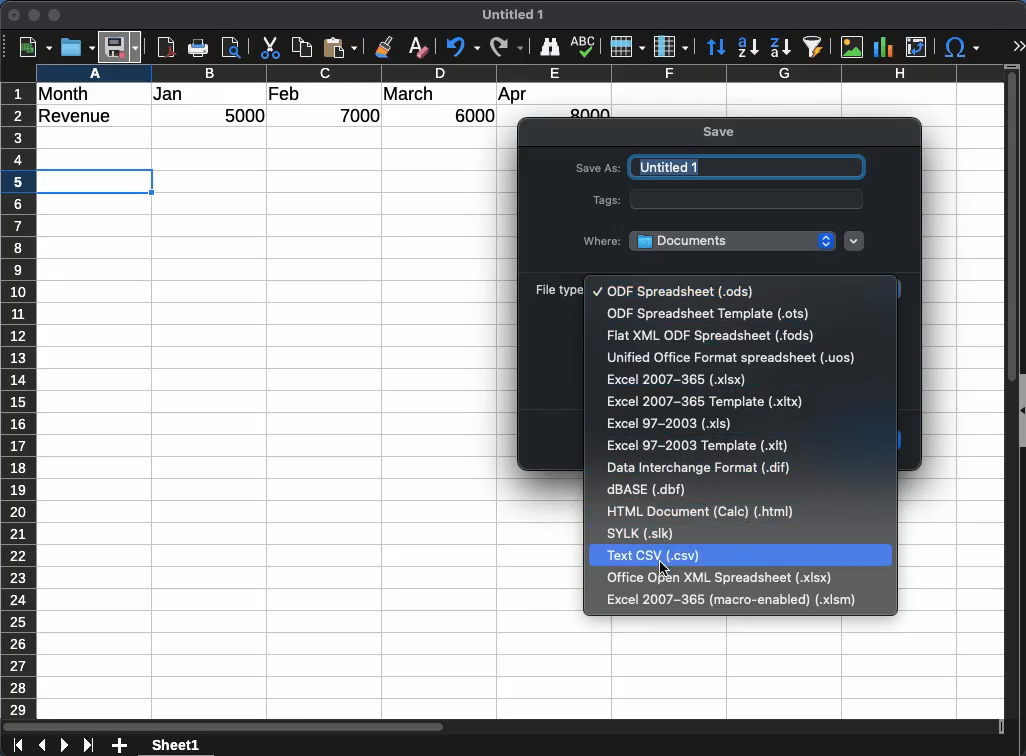  I want to click on dropdown, so click(855, 242).